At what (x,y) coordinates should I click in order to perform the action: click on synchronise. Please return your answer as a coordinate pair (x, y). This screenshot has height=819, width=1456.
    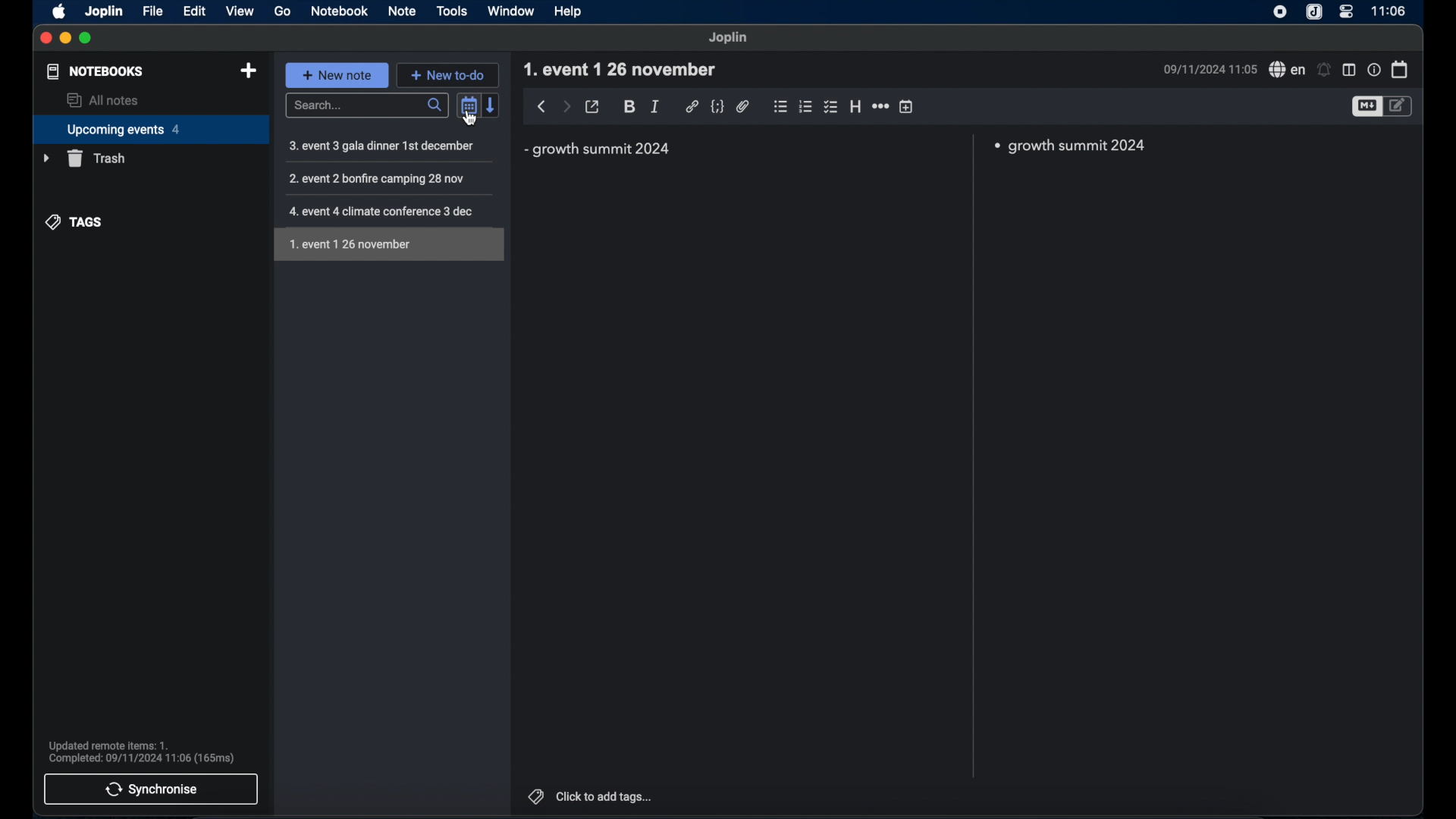
    Looking at the image, I should click on (151, 791).